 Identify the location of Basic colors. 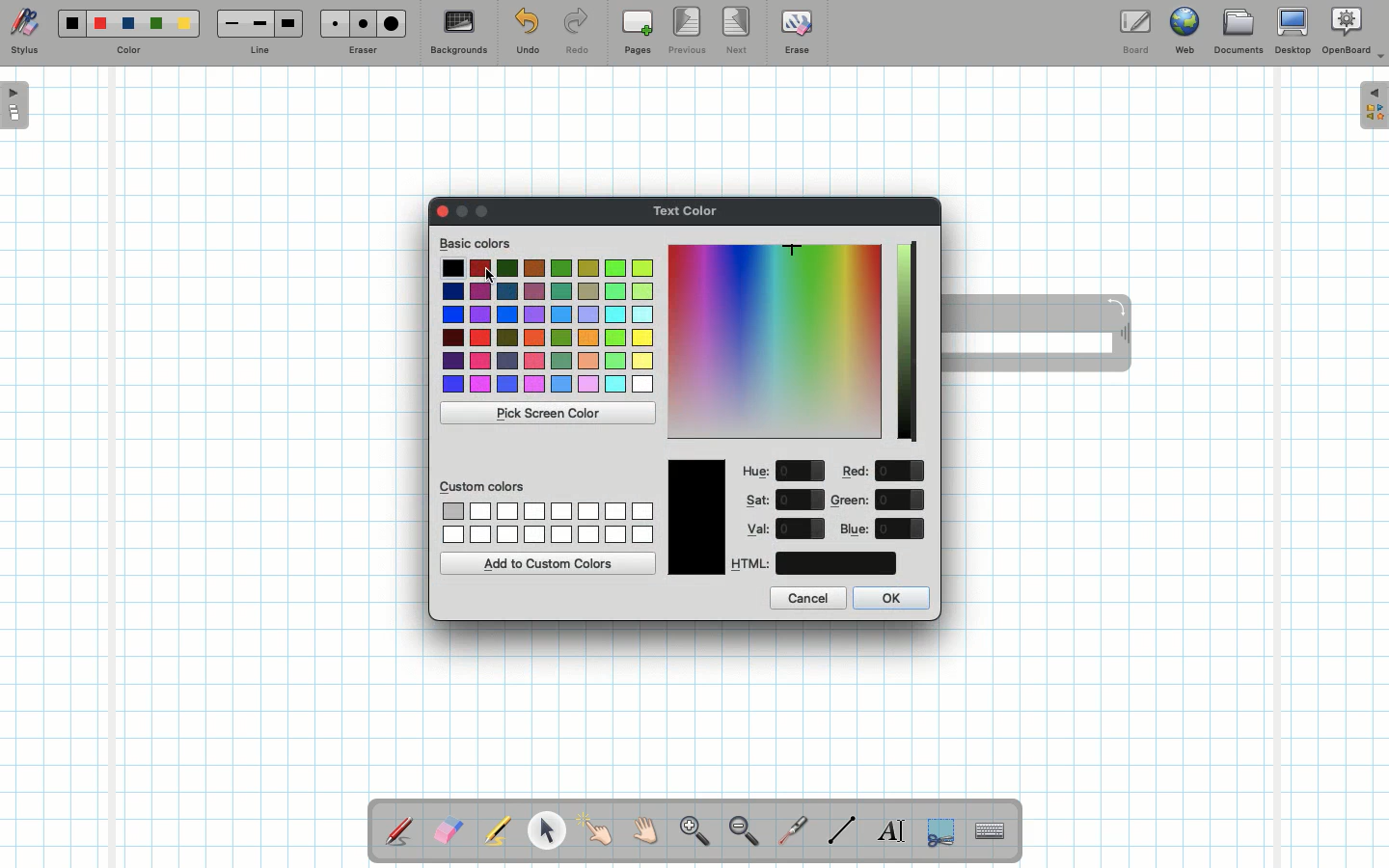
(477, 242).